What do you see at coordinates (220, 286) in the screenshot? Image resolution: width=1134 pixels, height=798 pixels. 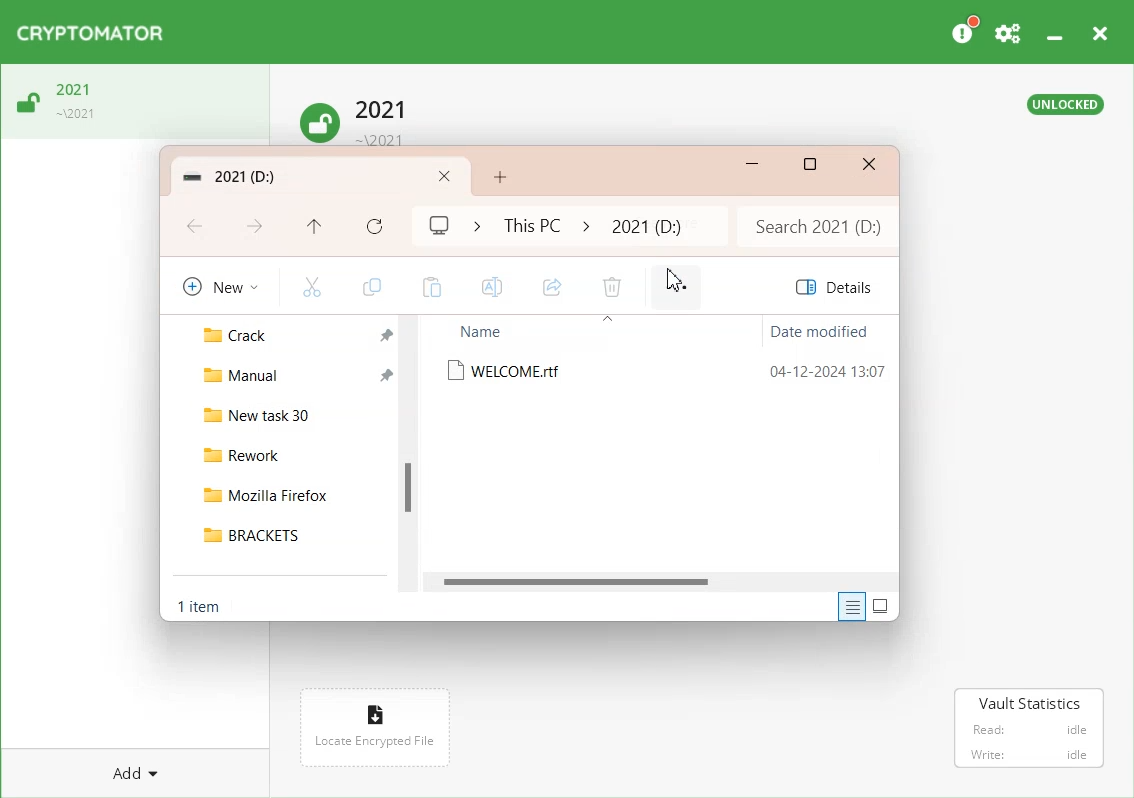 I see `New` at bounding box center [220, 286].